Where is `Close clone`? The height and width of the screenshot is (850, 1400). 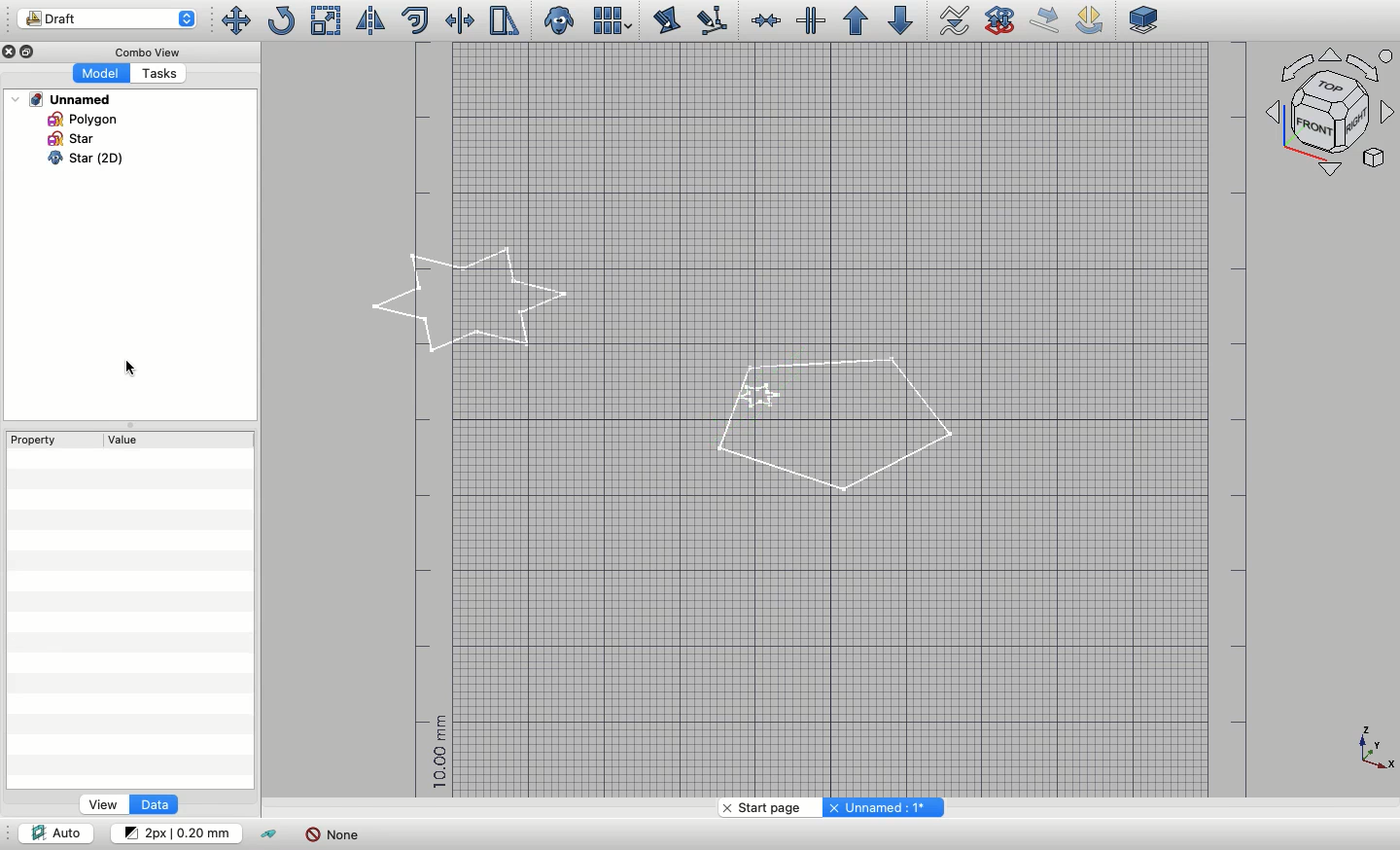 Close clone is located at coordinates (561, 21).